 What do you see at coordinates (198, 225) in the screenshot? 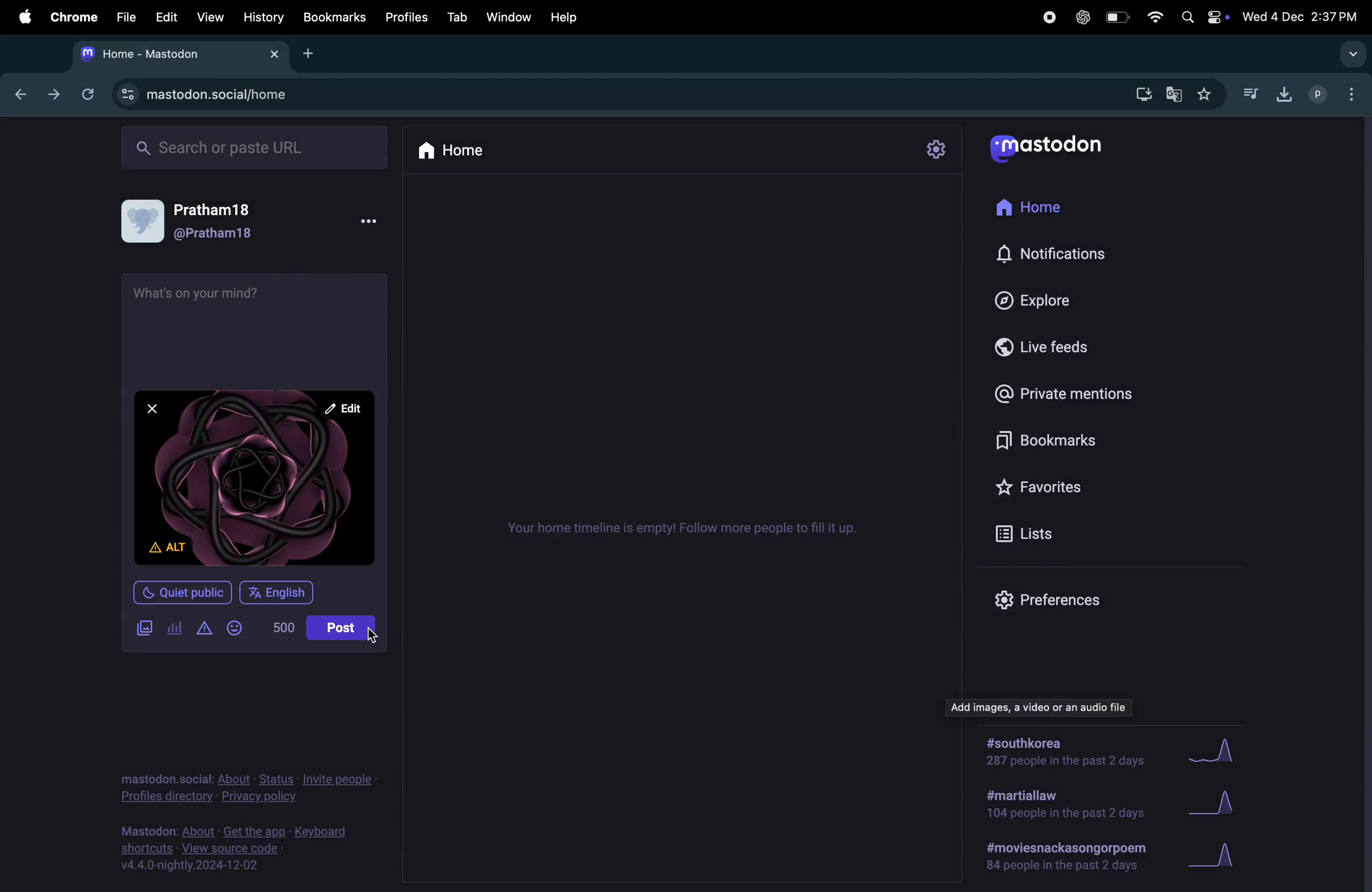
I see `pratham@18` at bounding box center [198, 225].